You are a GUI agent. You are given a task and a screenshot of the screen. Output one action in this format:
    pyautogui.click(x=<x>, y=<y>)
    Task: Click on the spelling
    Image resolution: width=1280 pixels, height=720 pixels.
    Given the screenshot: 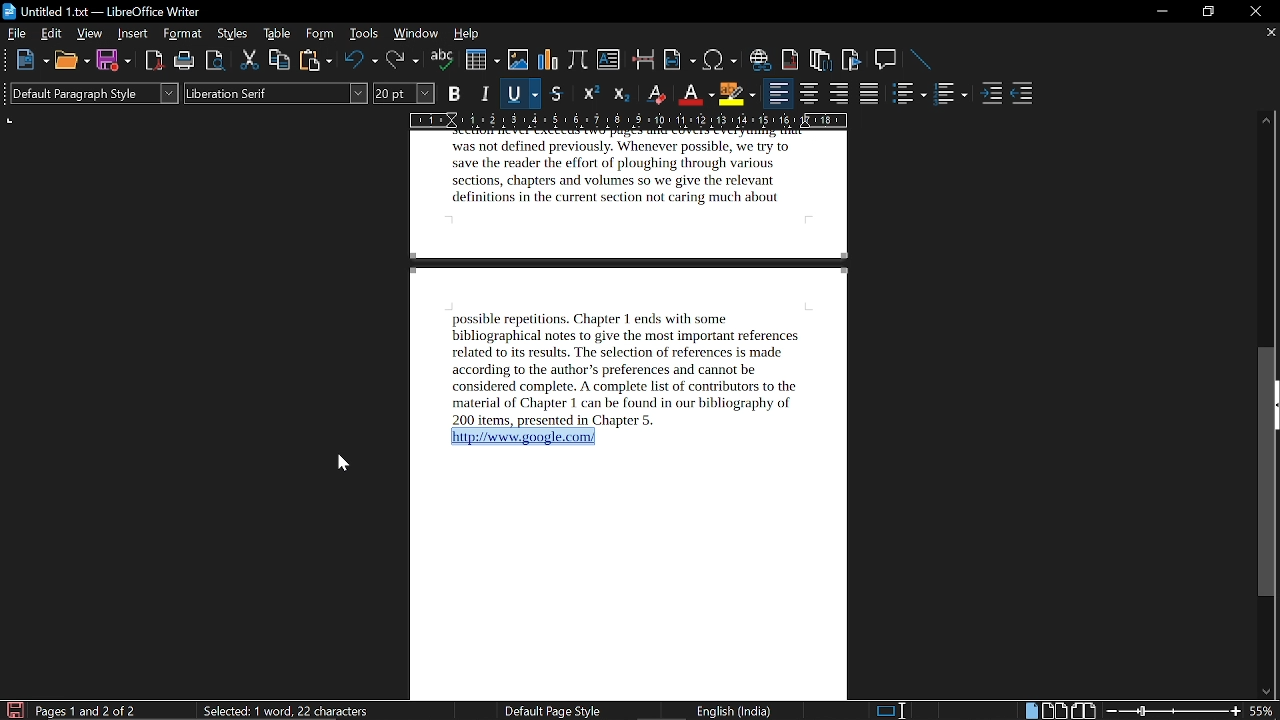 What is the action you would take?
    pyautogui.click(x=443, y=61)
    